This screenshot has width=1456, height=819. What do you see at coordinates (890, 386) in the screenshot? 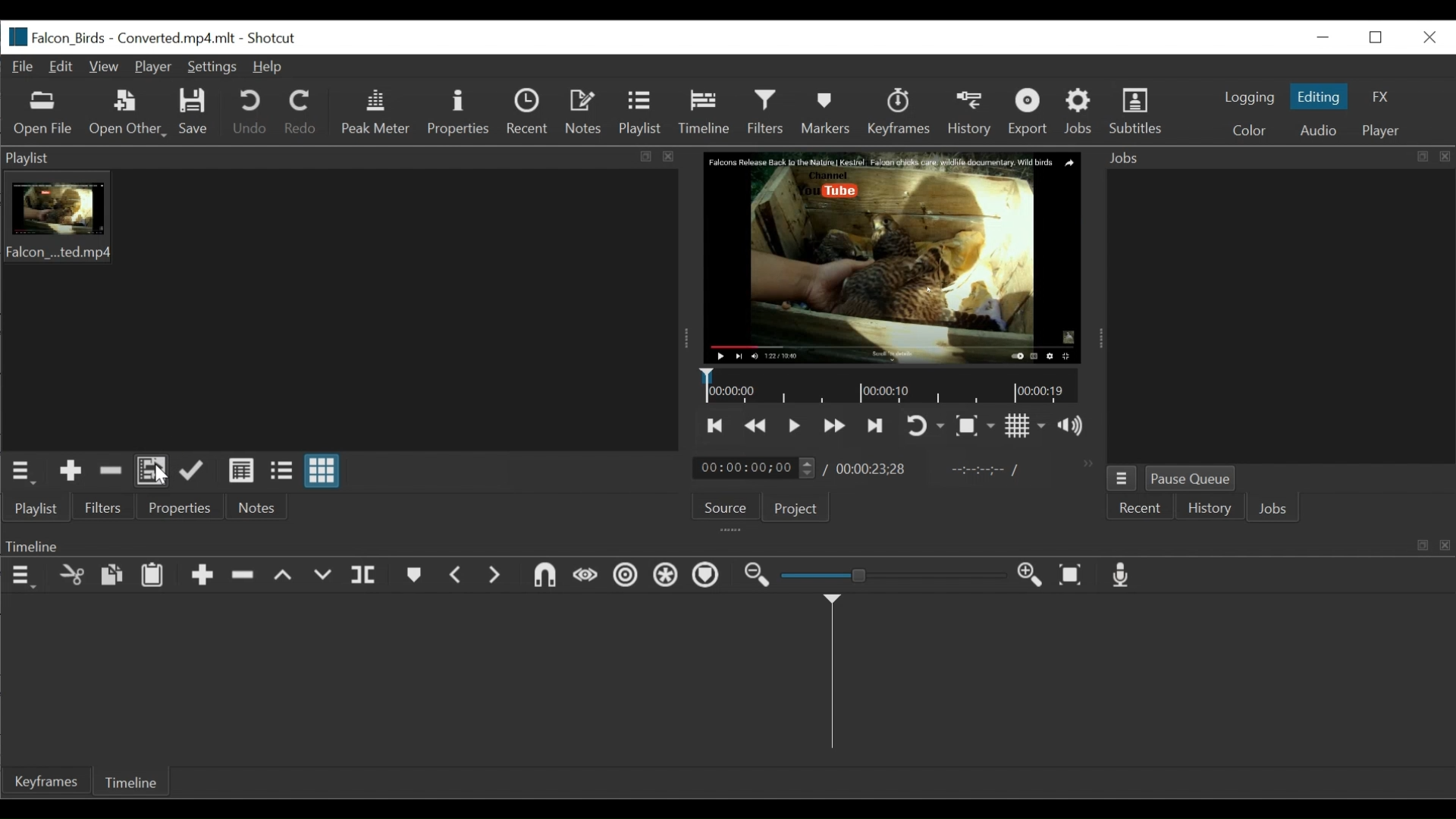
I see `Timelin` at bounding box center [890, 386].